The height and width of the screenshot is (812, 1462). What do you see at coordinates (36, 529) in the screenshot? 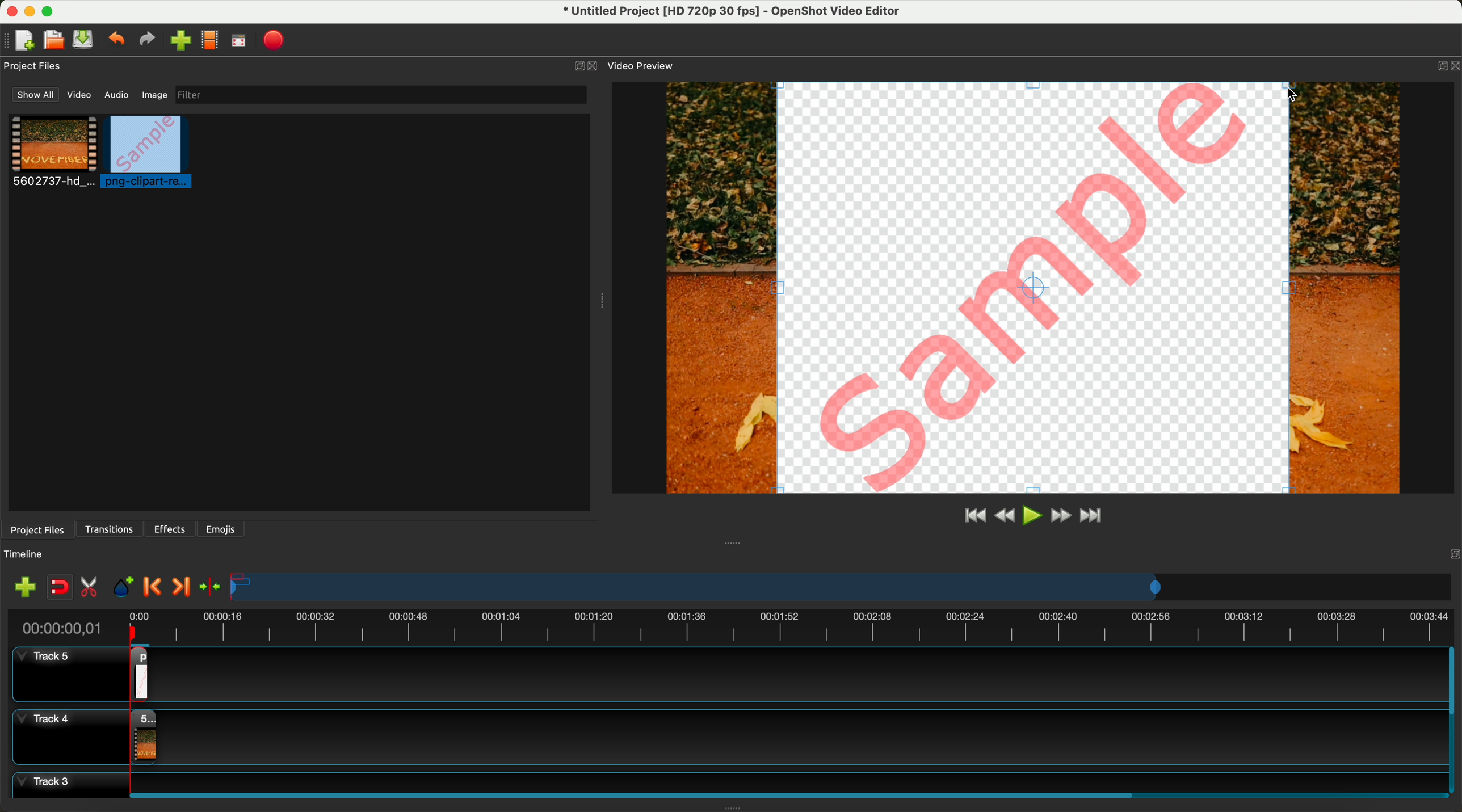
I see `project files` at bounding box center [36, 529].